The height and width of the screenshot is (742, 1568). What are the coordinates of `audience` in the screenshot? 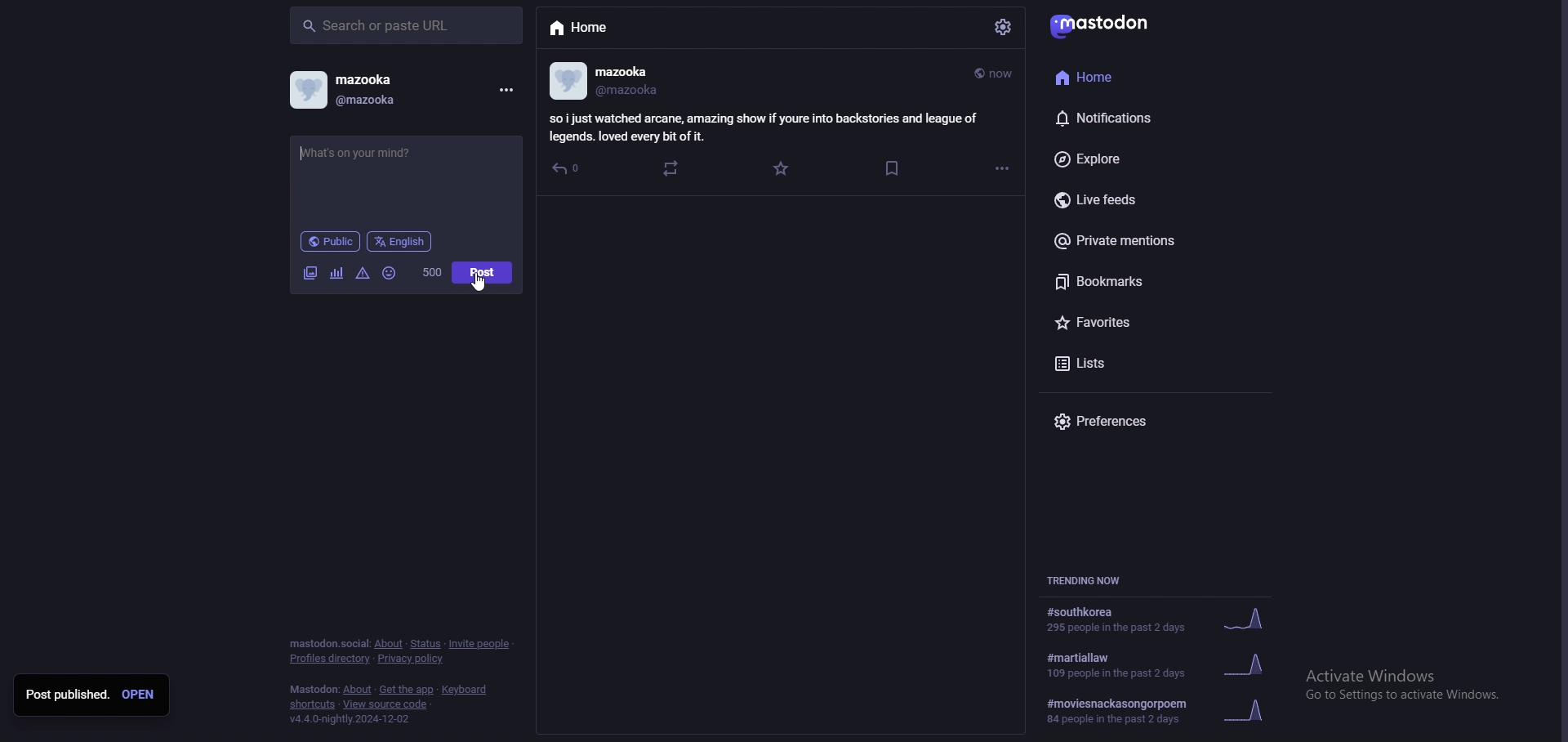 It's located at (331, 242).